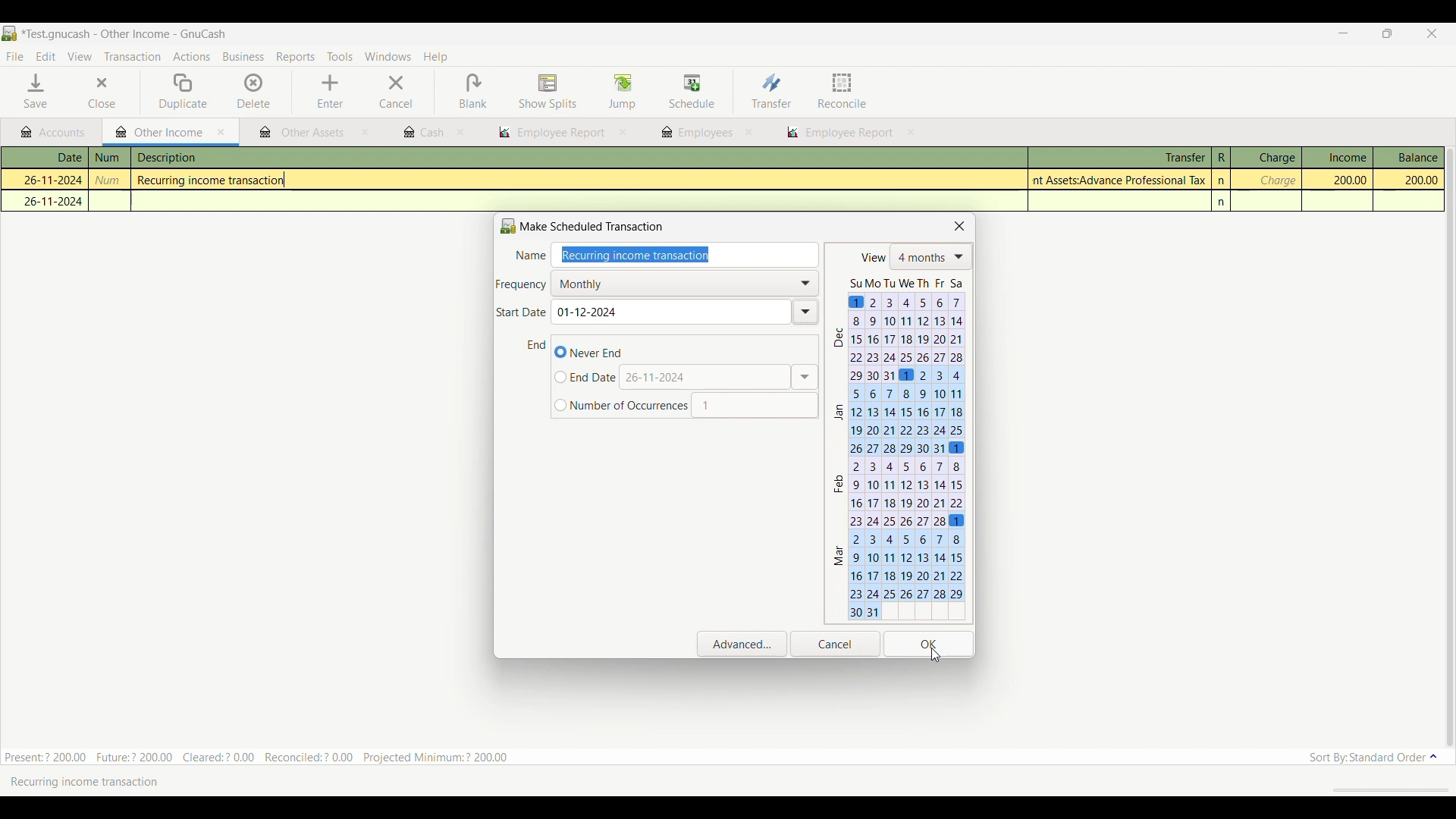  I want to click on View menu, so click(79, 57).